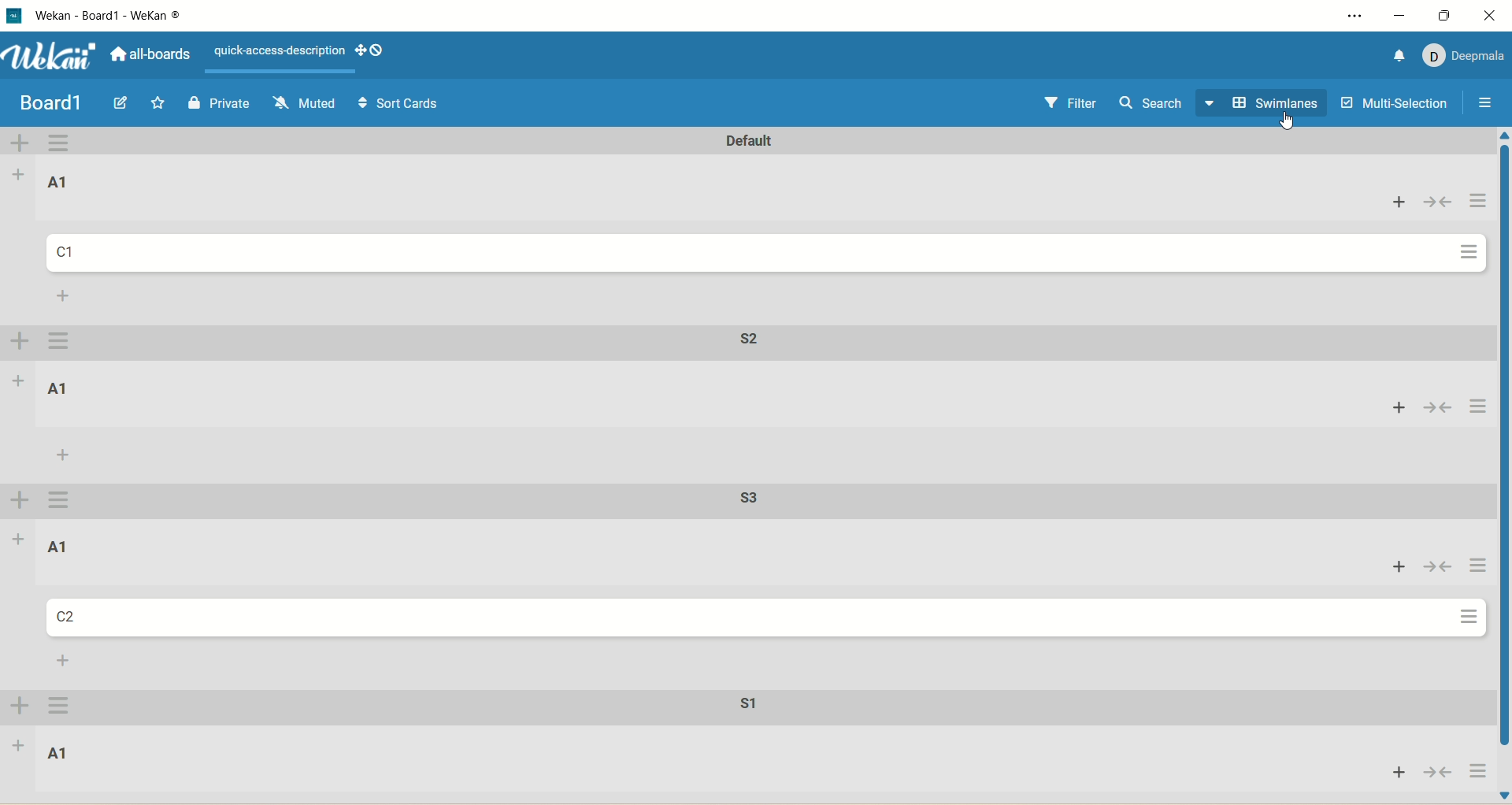  Describe the element at coordinates (21, 143) in the screenshot. I see `add swimlane` at that location.